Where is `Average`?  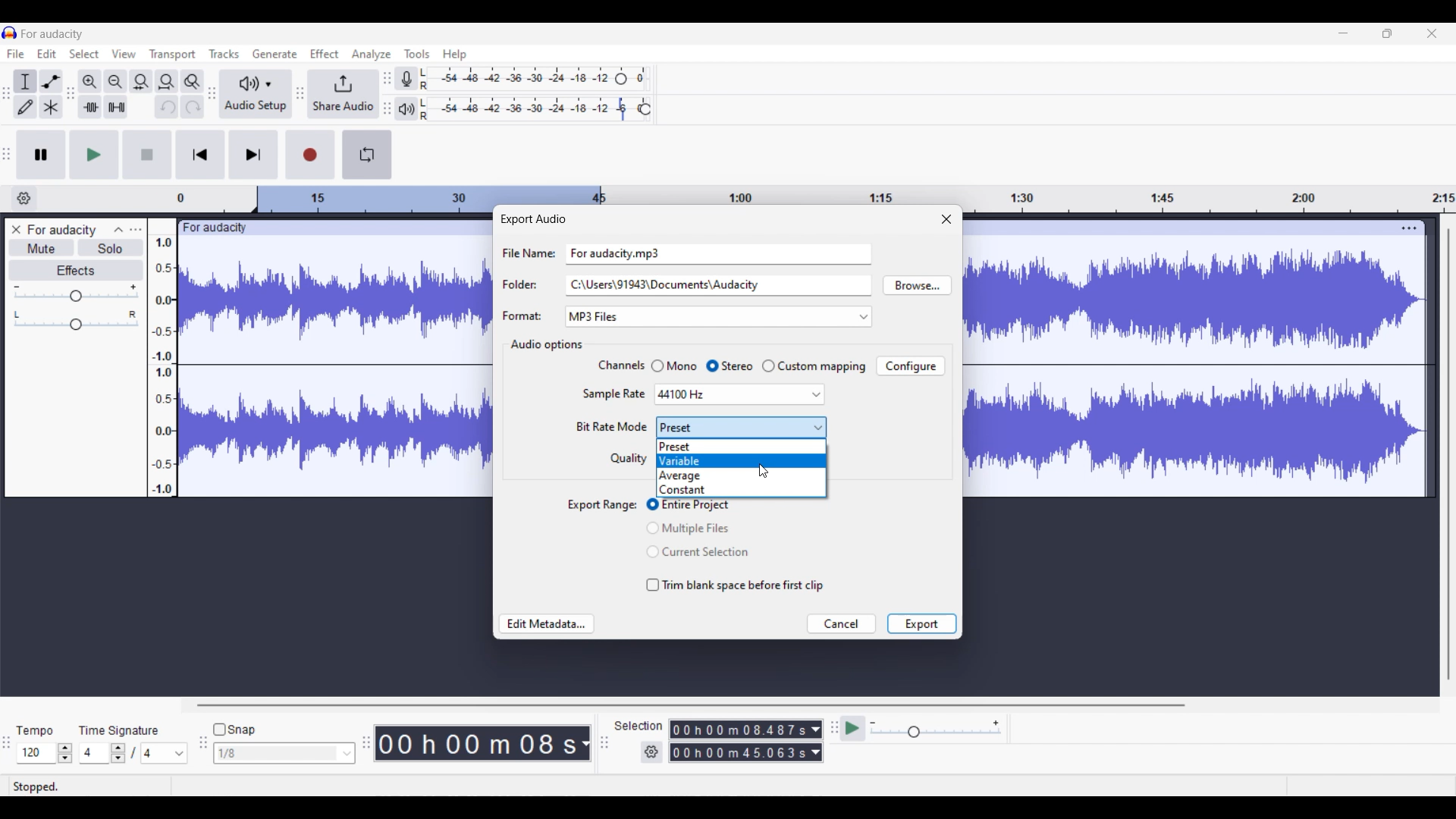 Average is located at coordinates (741, 476).